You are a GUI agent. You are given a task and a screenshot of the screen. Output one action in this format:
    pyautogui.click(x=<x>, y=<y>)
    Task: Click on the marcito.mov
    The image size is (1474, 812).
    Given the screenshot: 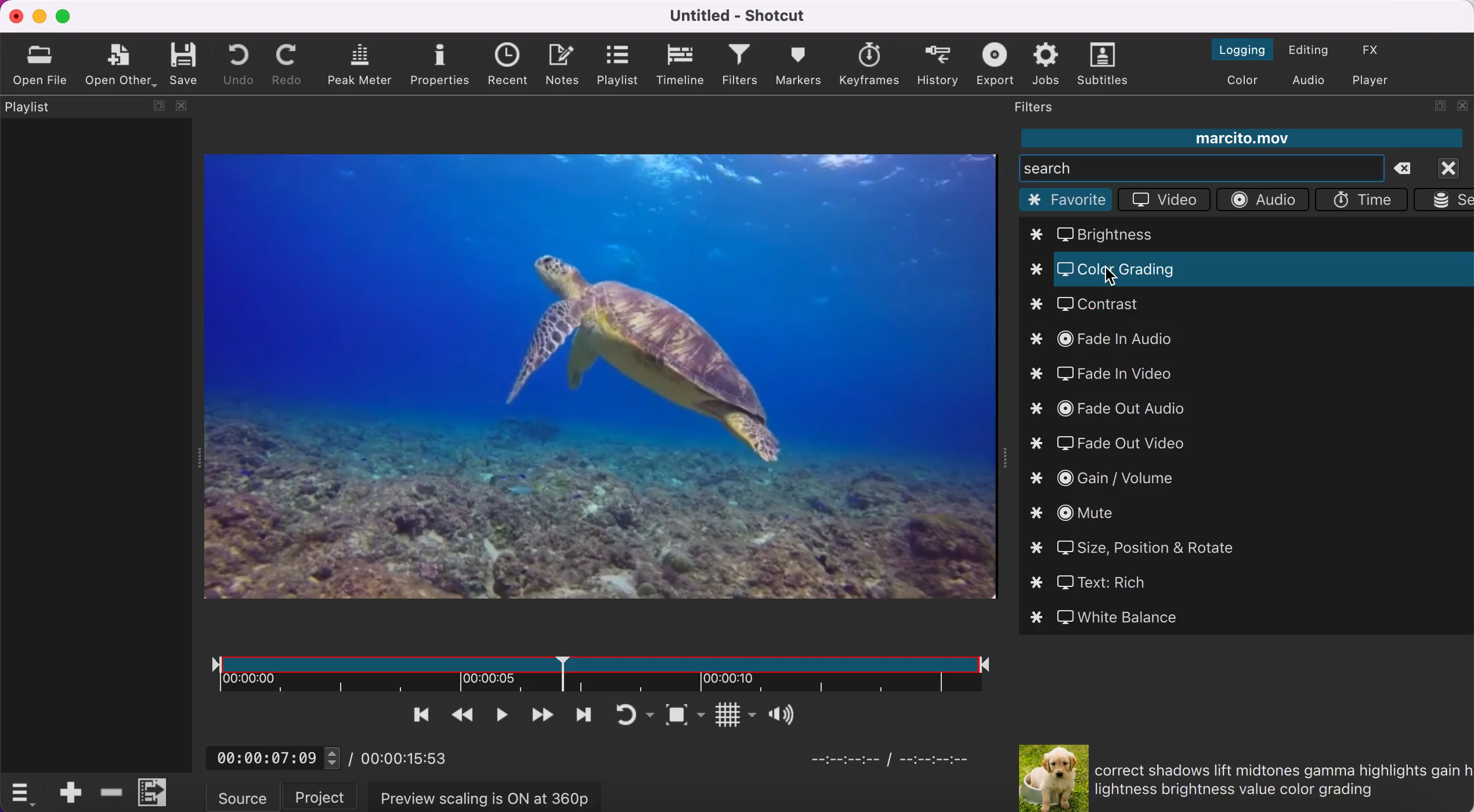 What is the action you would take?
    pyautogui.click(x=1240, y=139)
    